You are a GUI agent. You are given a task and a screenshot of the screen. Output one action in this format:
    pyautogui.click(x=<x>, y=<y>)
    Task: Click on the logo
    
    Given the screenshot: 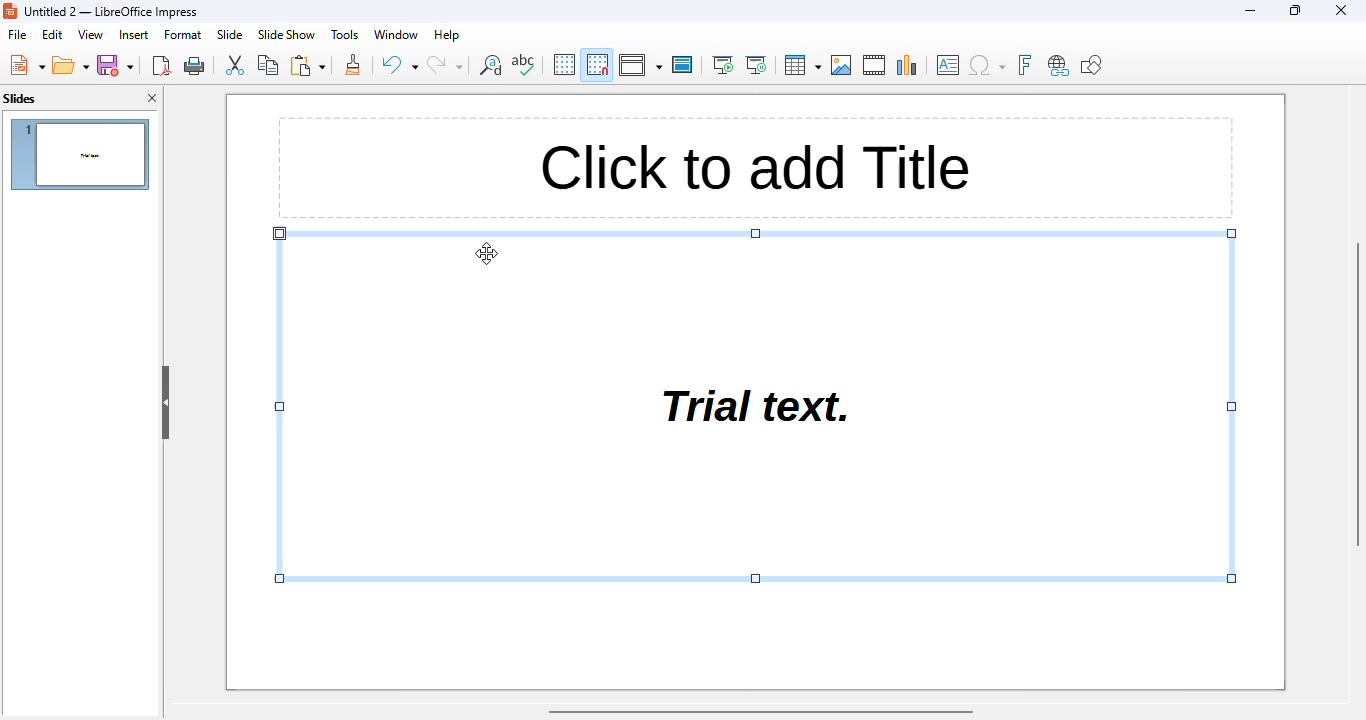 What is the action you would take?
    pyautogui.click(x=10, y=10)
    